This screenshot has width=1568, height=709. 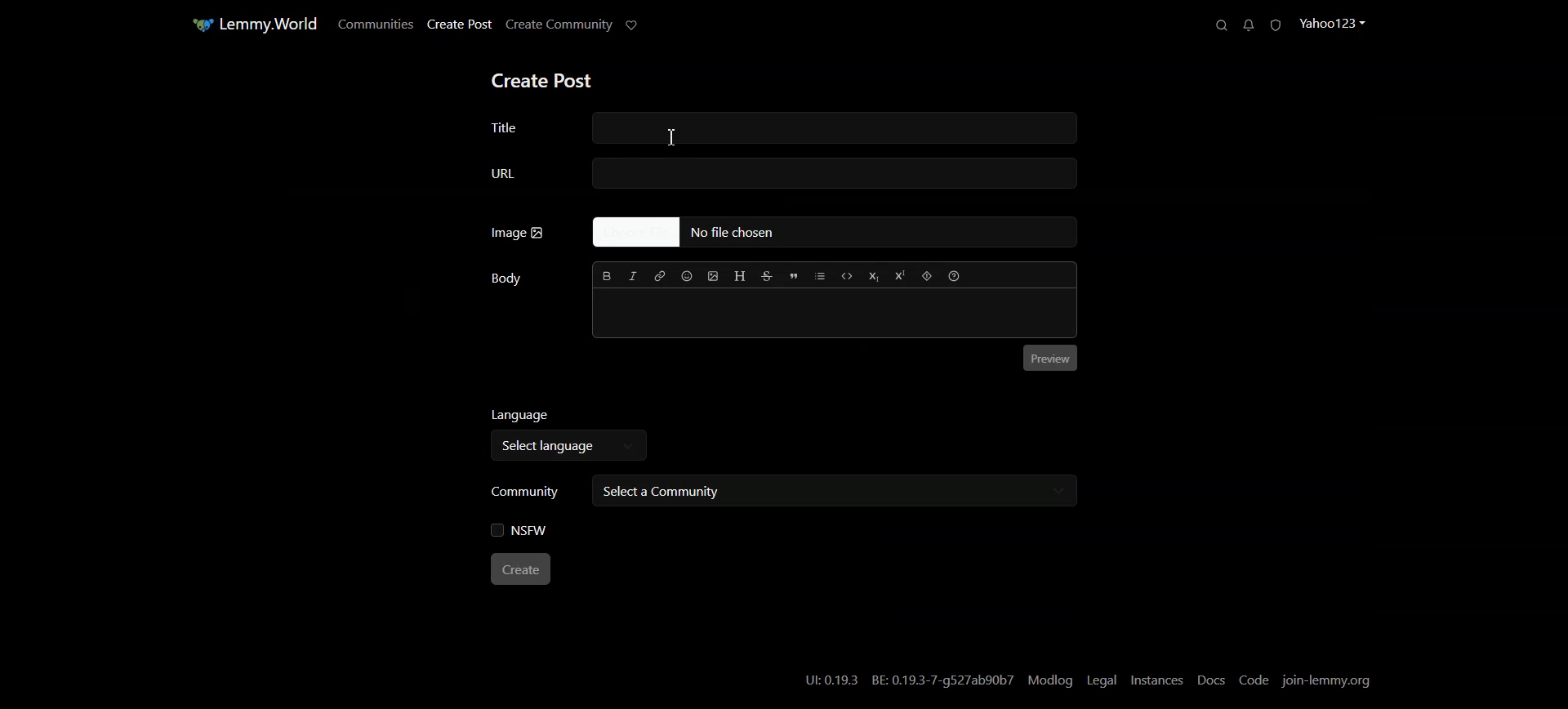 I want to click on Hyperlink, so click(x=661, y=276).